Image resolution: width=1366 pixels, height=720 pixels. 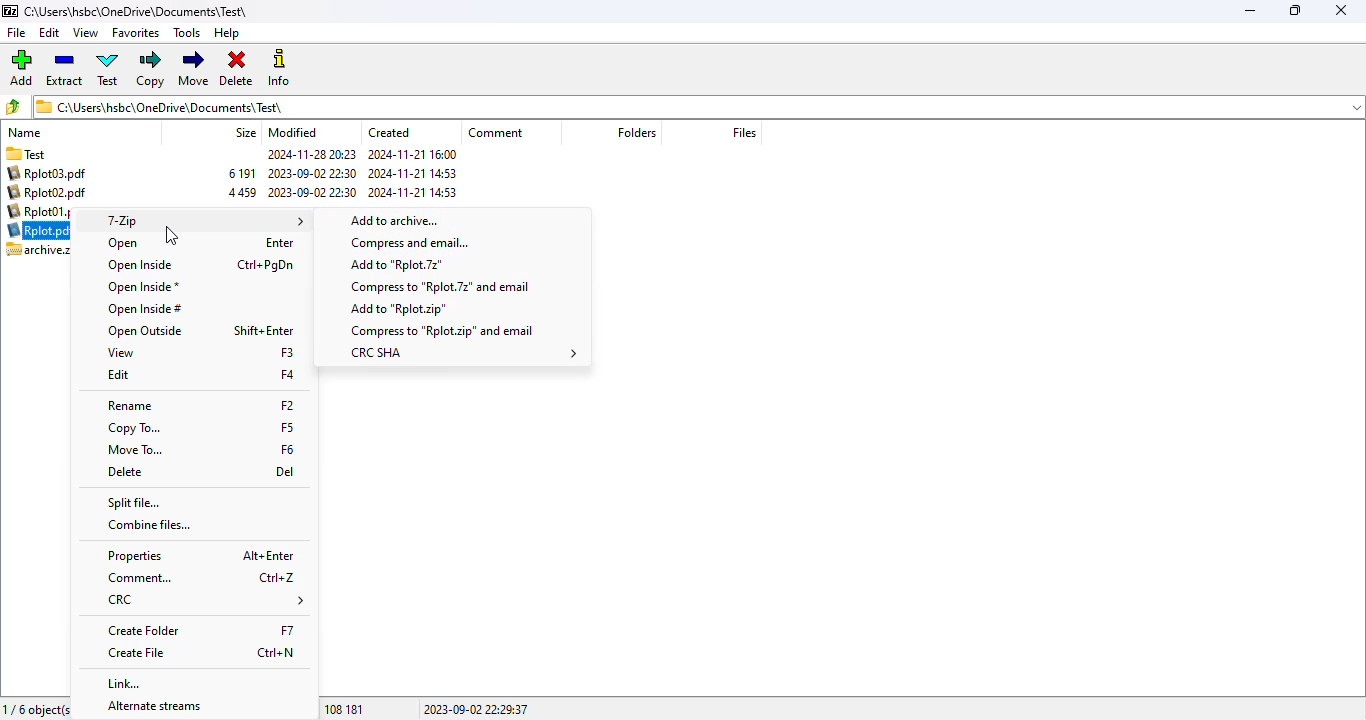 I want to click on combine files, so click(x=149, y=526).